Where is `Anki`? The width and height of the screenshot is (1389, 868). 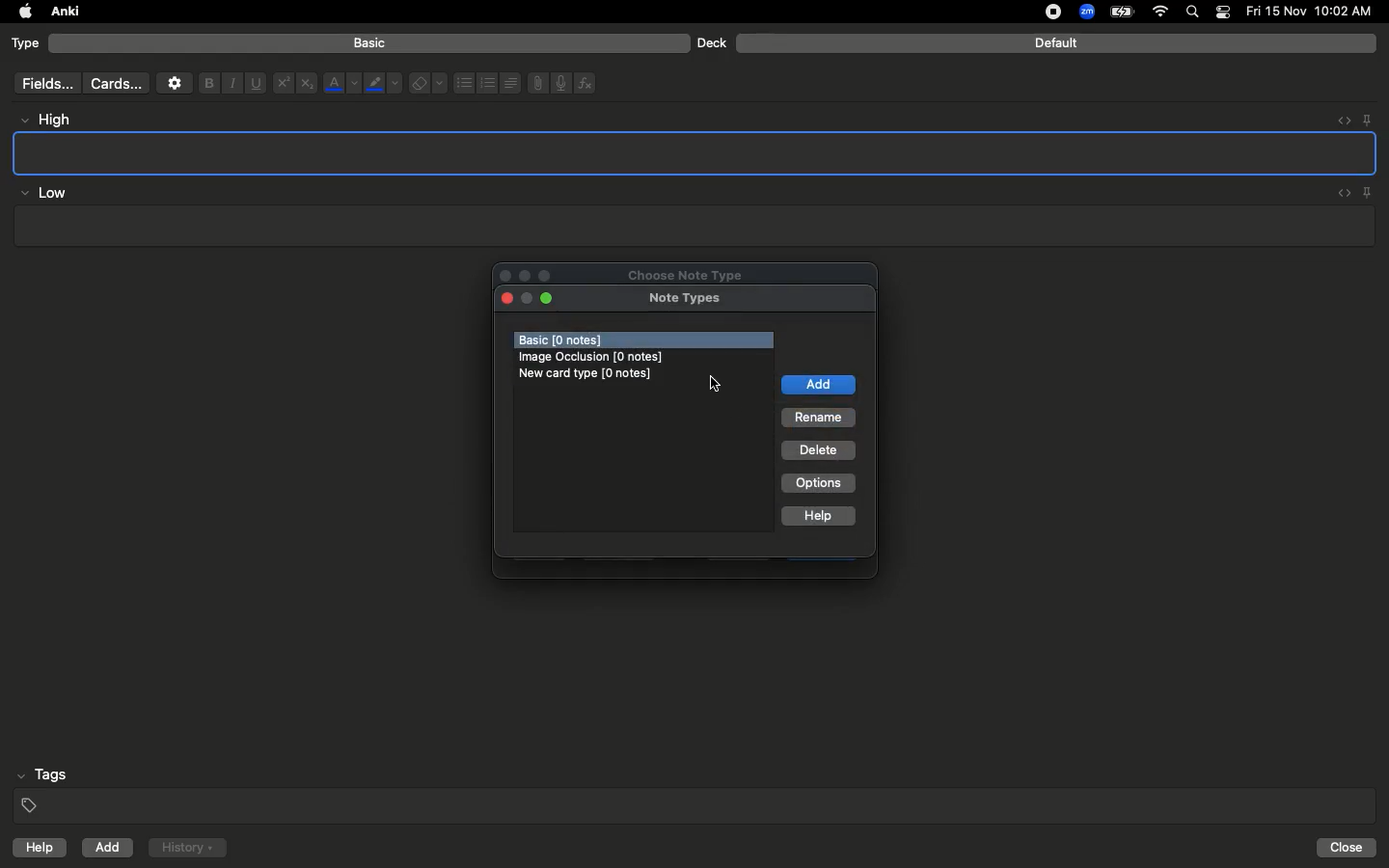
Anki is located at coordinates (64, 13).